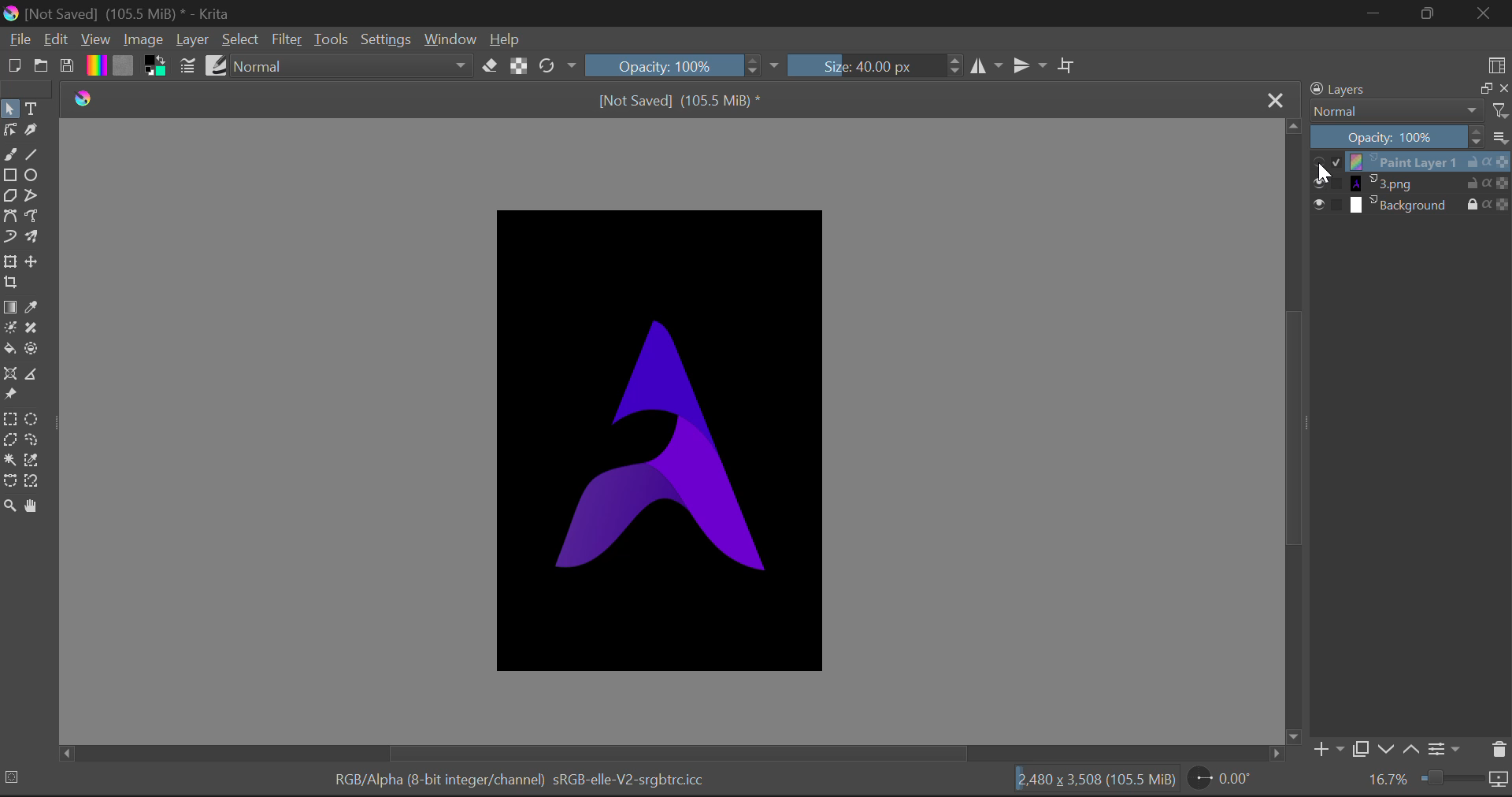  I want to click on Zoom slider, so click(1463, 778).